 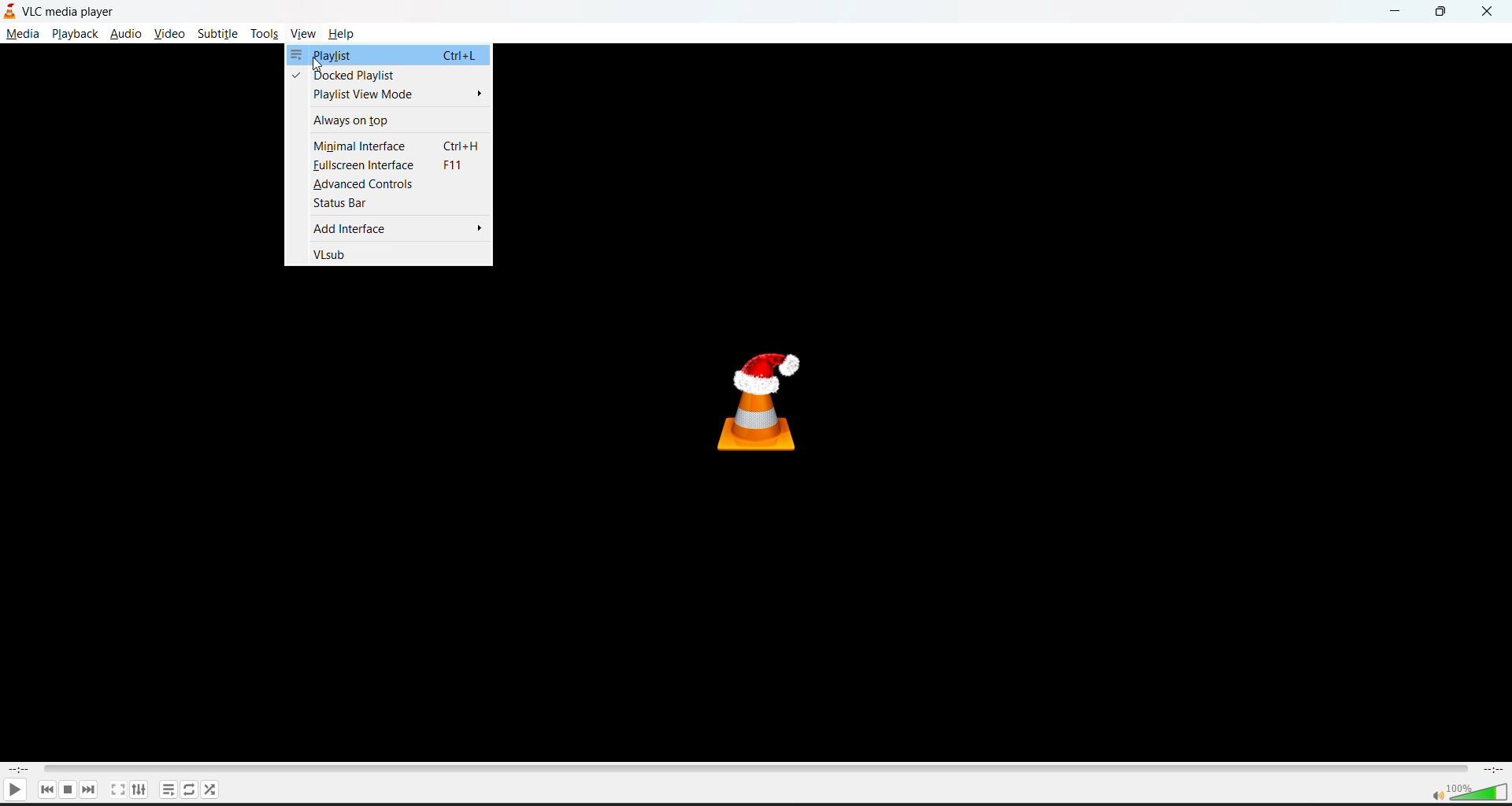 I want to click on play, so click(x=15, y=790).